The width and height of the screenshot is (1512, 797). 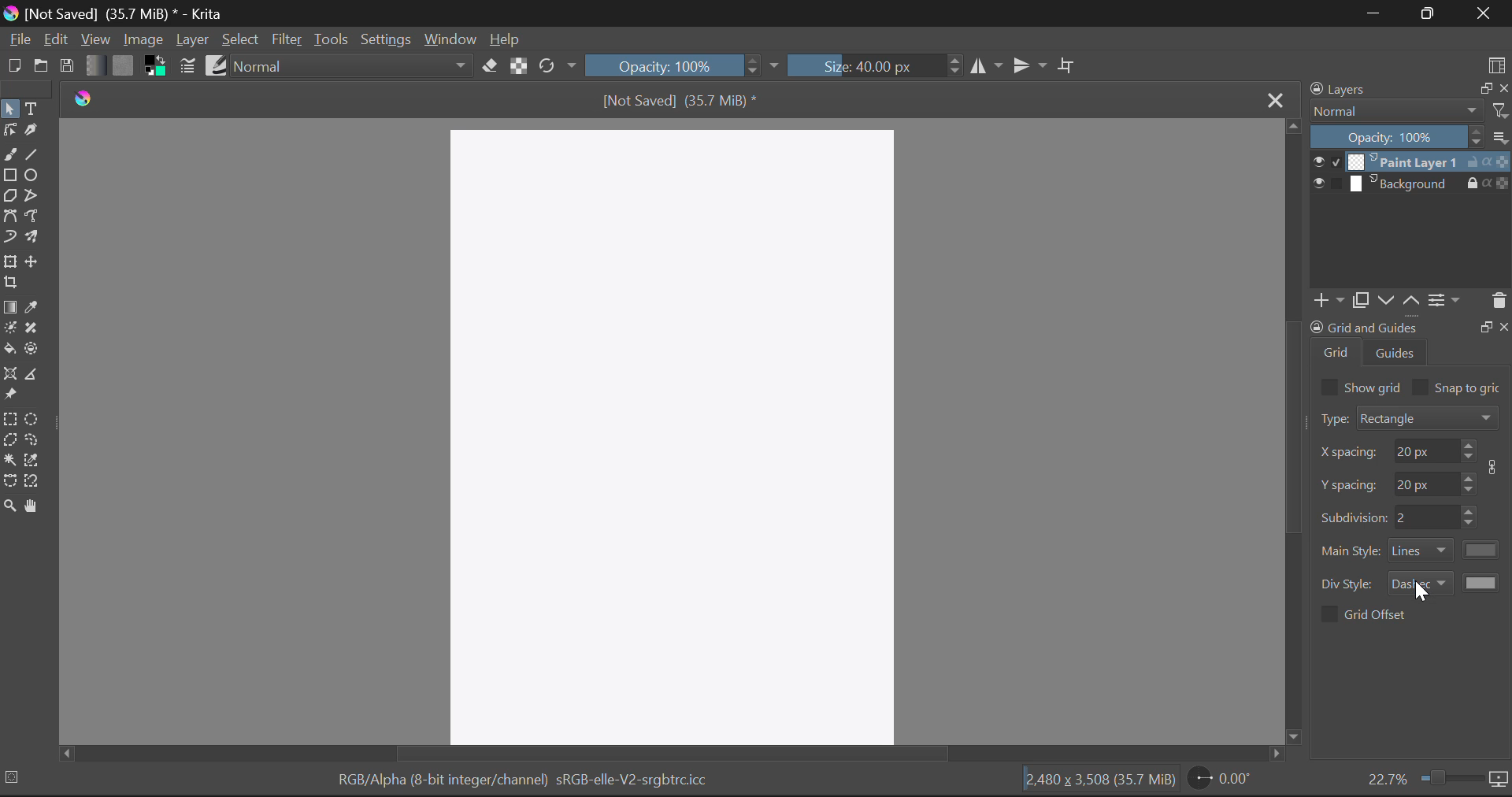 I want to click on Page Rotation, so click(x=1223, y=779).